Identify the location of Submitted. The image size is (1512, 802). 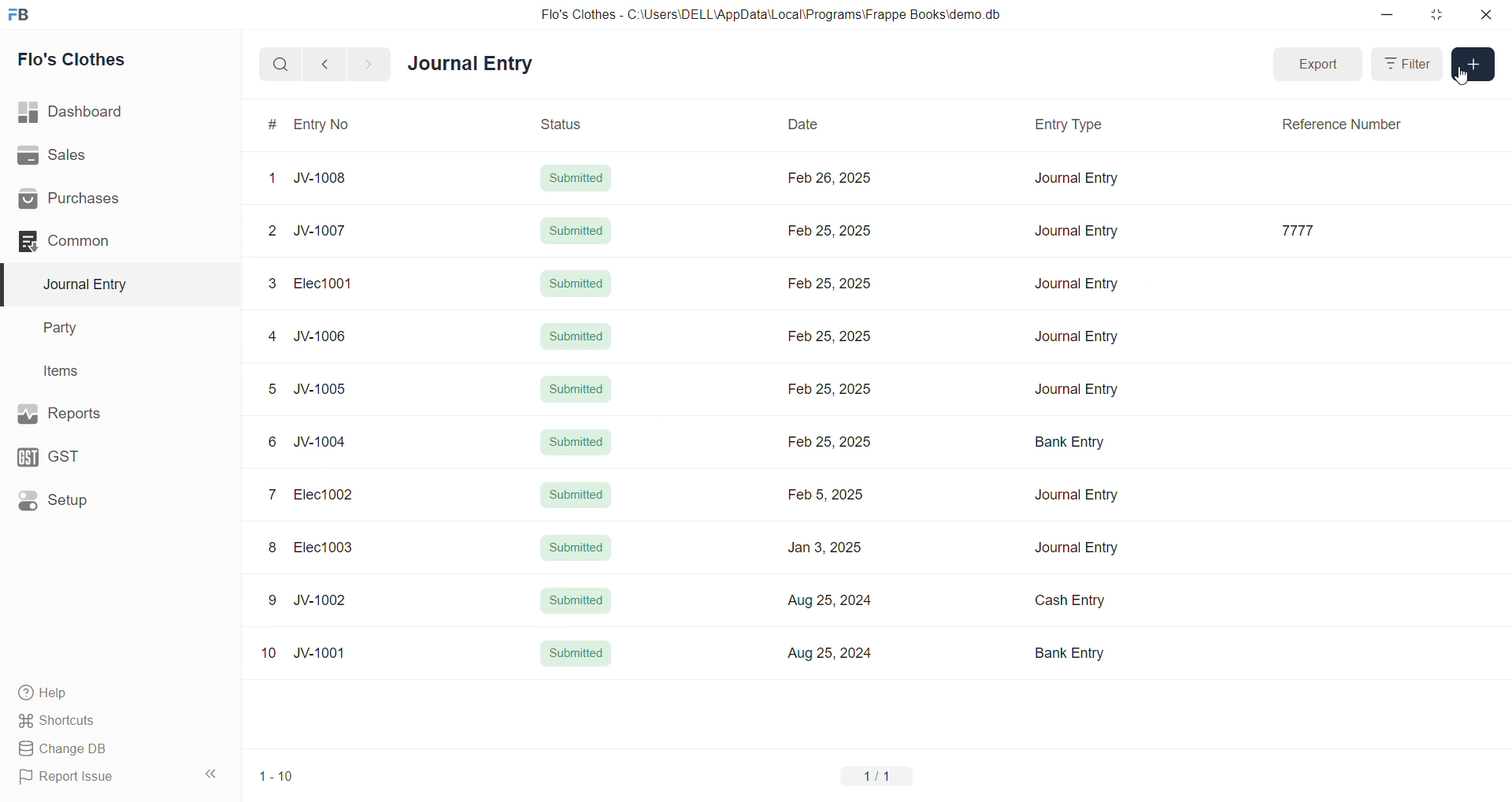
(580, 496).